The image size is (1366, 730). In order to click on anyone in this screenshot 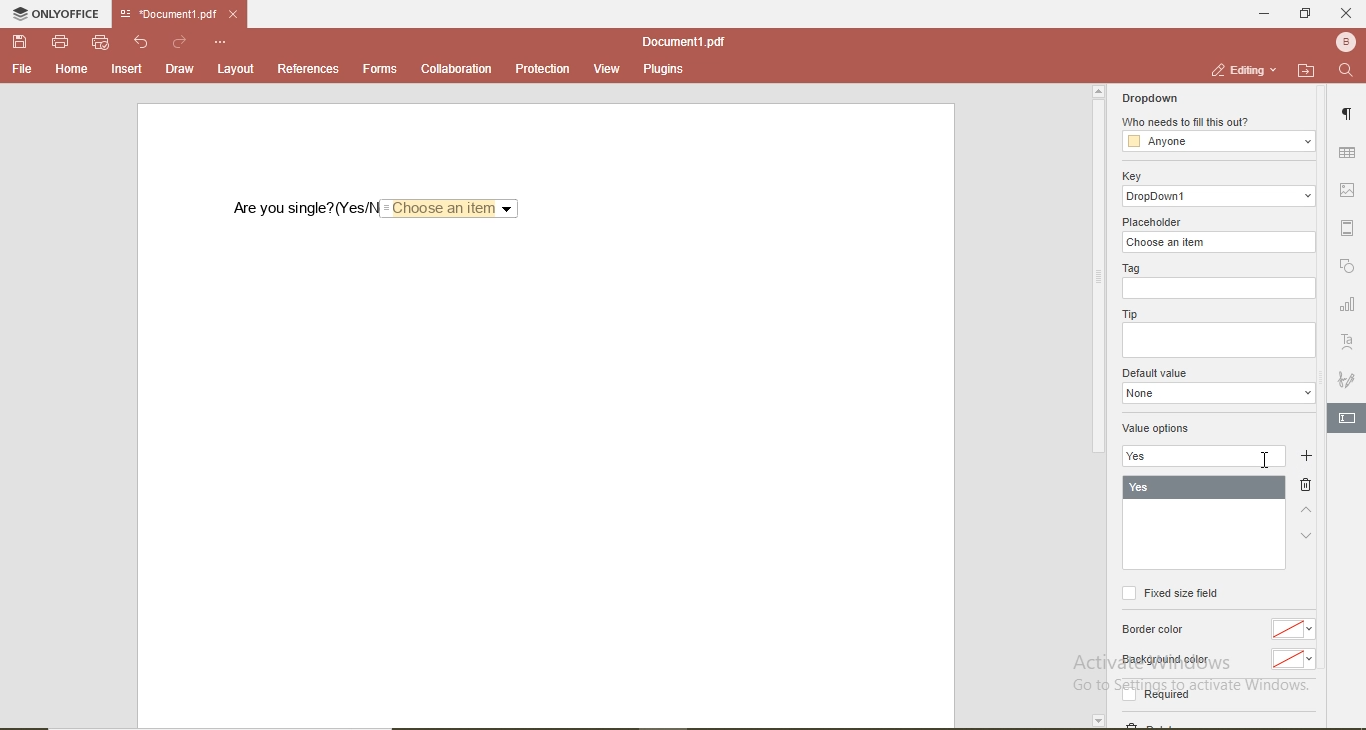, I will do `click(1217, 141)`.